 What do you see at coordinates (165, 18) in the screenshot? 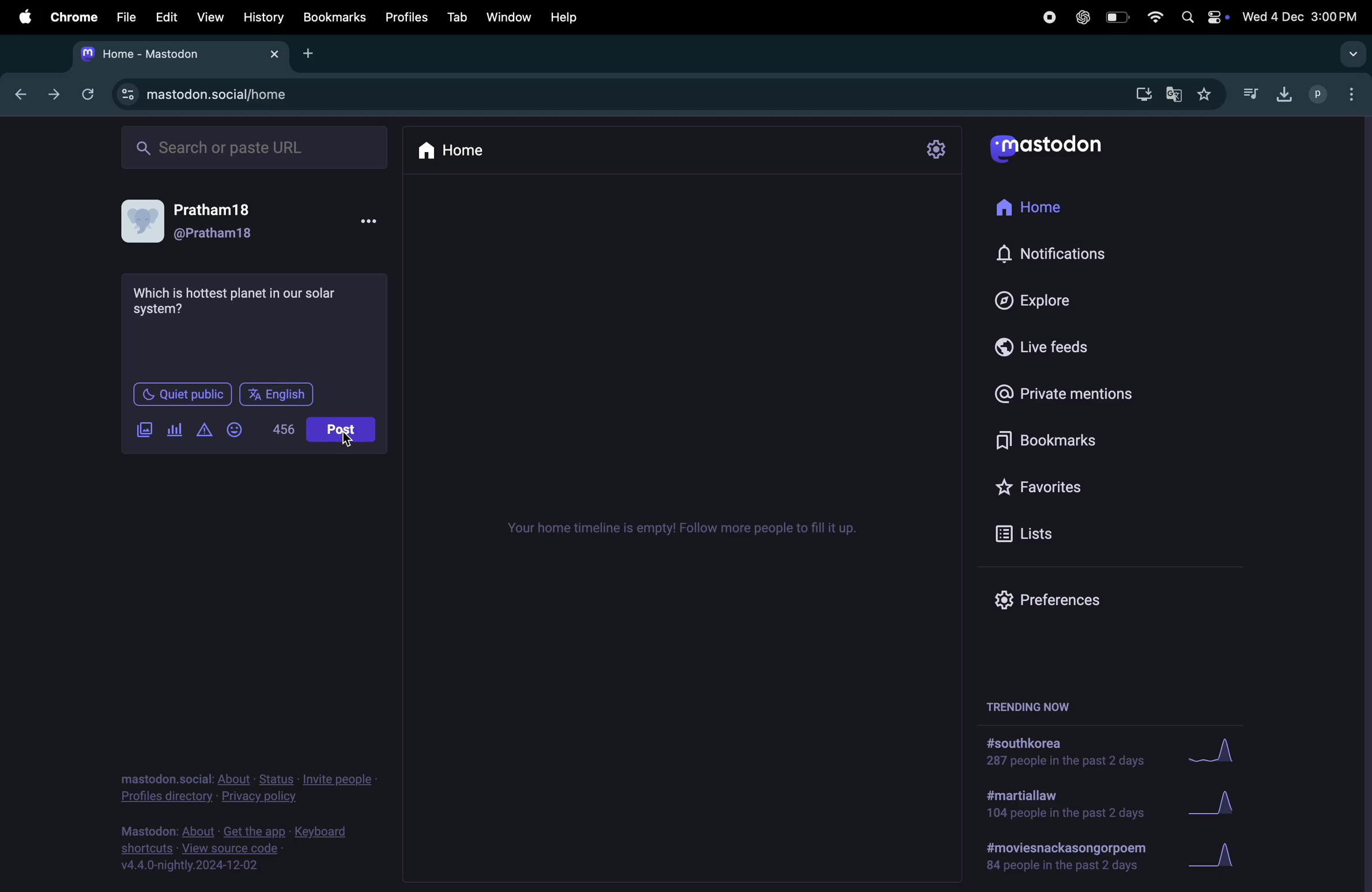
I see `edit` at bounding box center [165, 18].